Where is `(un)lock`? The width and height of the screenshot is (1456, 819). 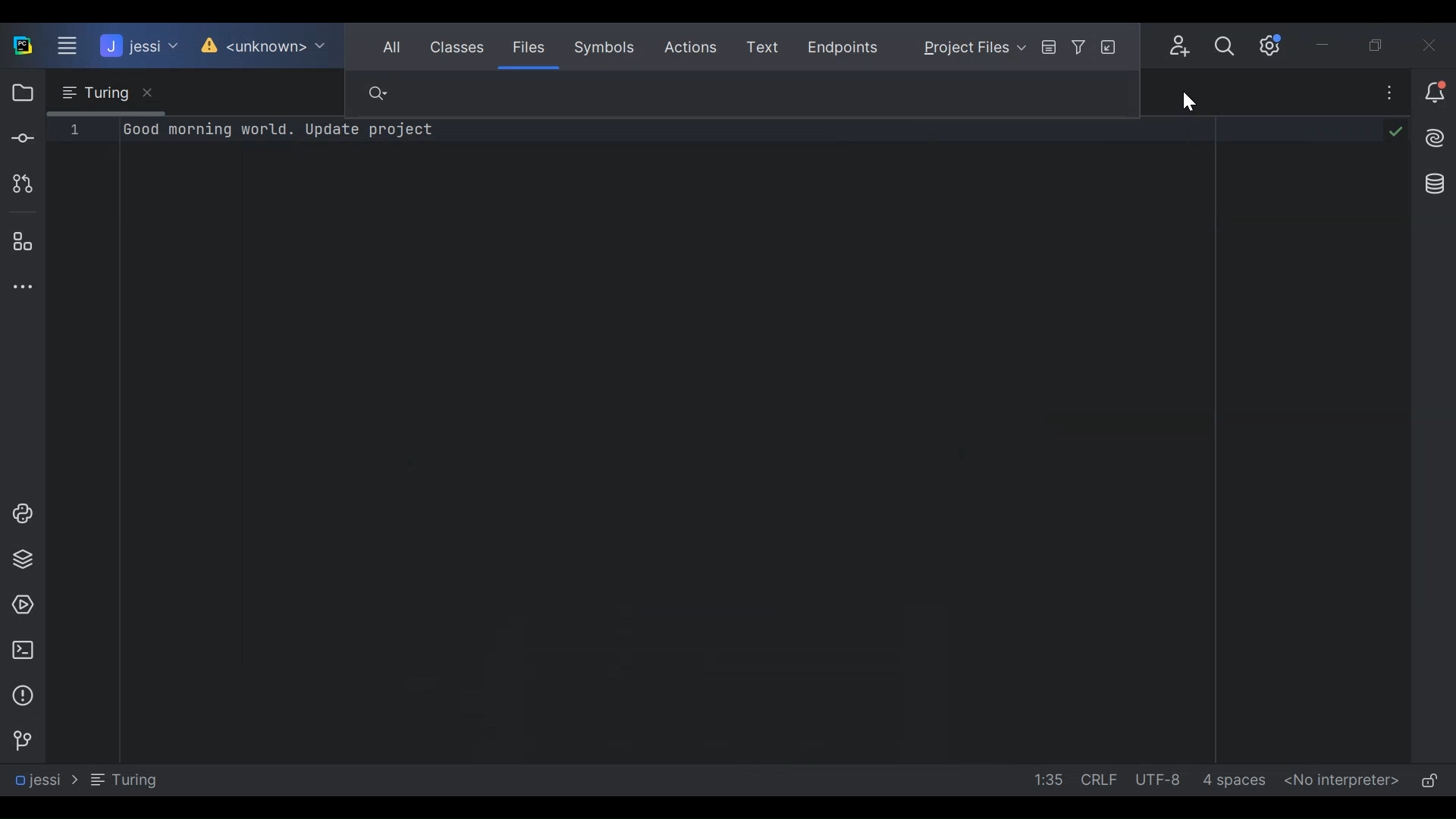
(un)lock is located at coordinates (1432, 783).